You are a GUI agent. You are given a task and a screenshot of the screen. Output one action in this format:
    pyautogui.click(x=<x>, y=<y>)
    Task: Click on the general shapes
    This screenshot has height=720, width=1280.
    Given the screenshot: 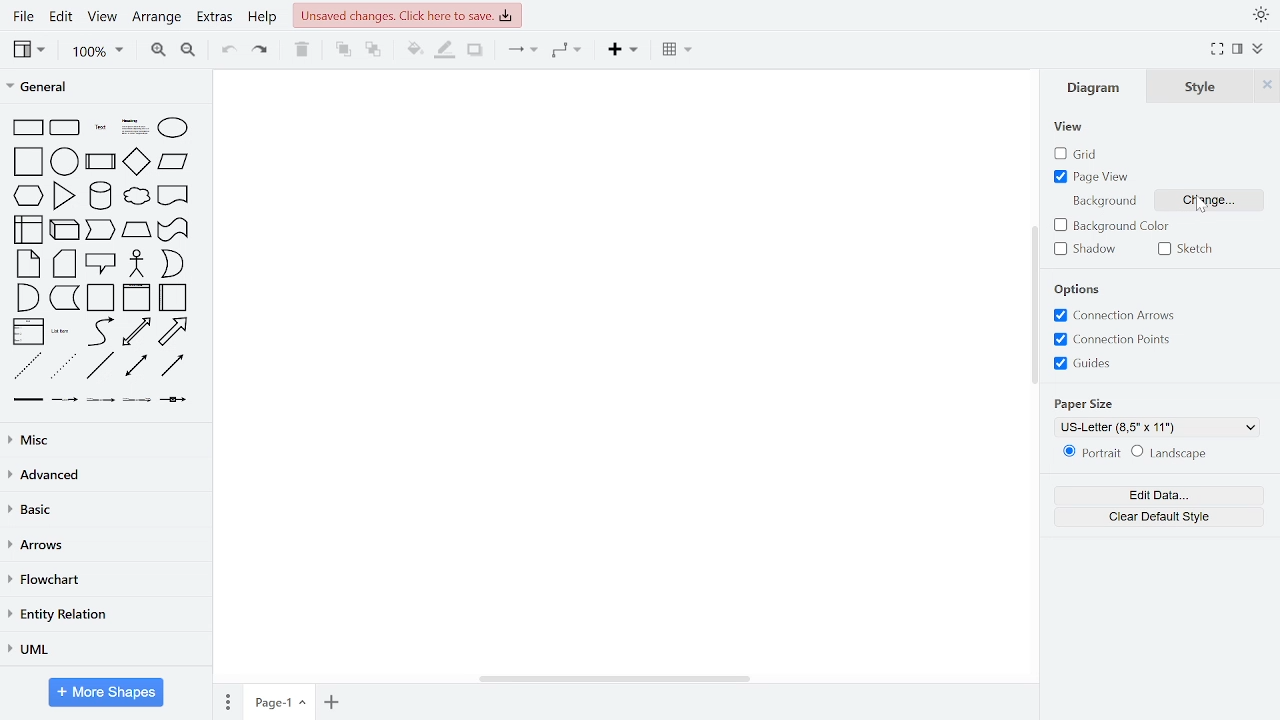 What is the action you would take?
    pyautogui.click(x=98, y=159)
    